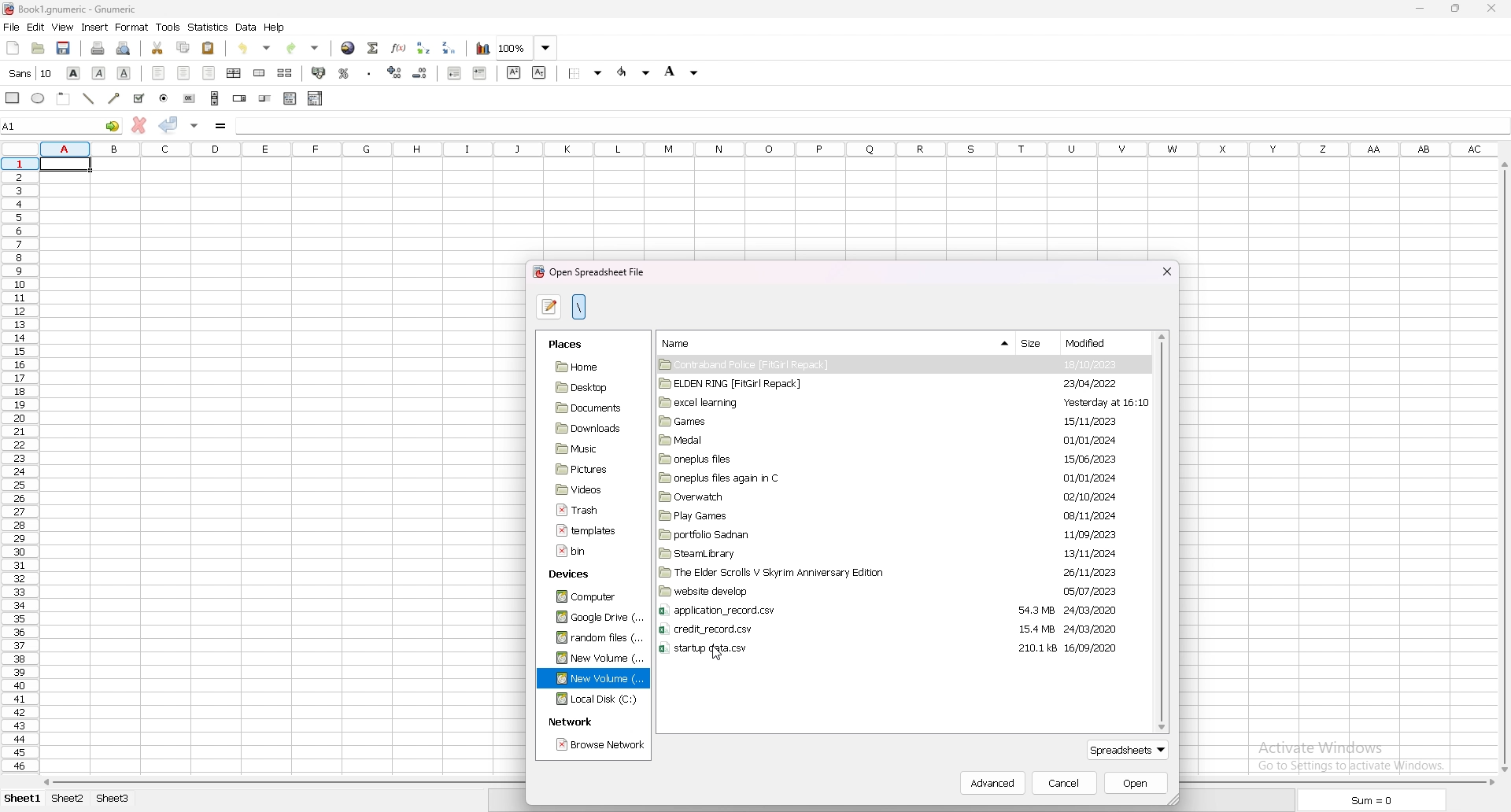 The image size is (1511, 812). What do you see at coordinates (316, 98) in the screenshot?
I see `combo box` at bounding box center [316, 98].